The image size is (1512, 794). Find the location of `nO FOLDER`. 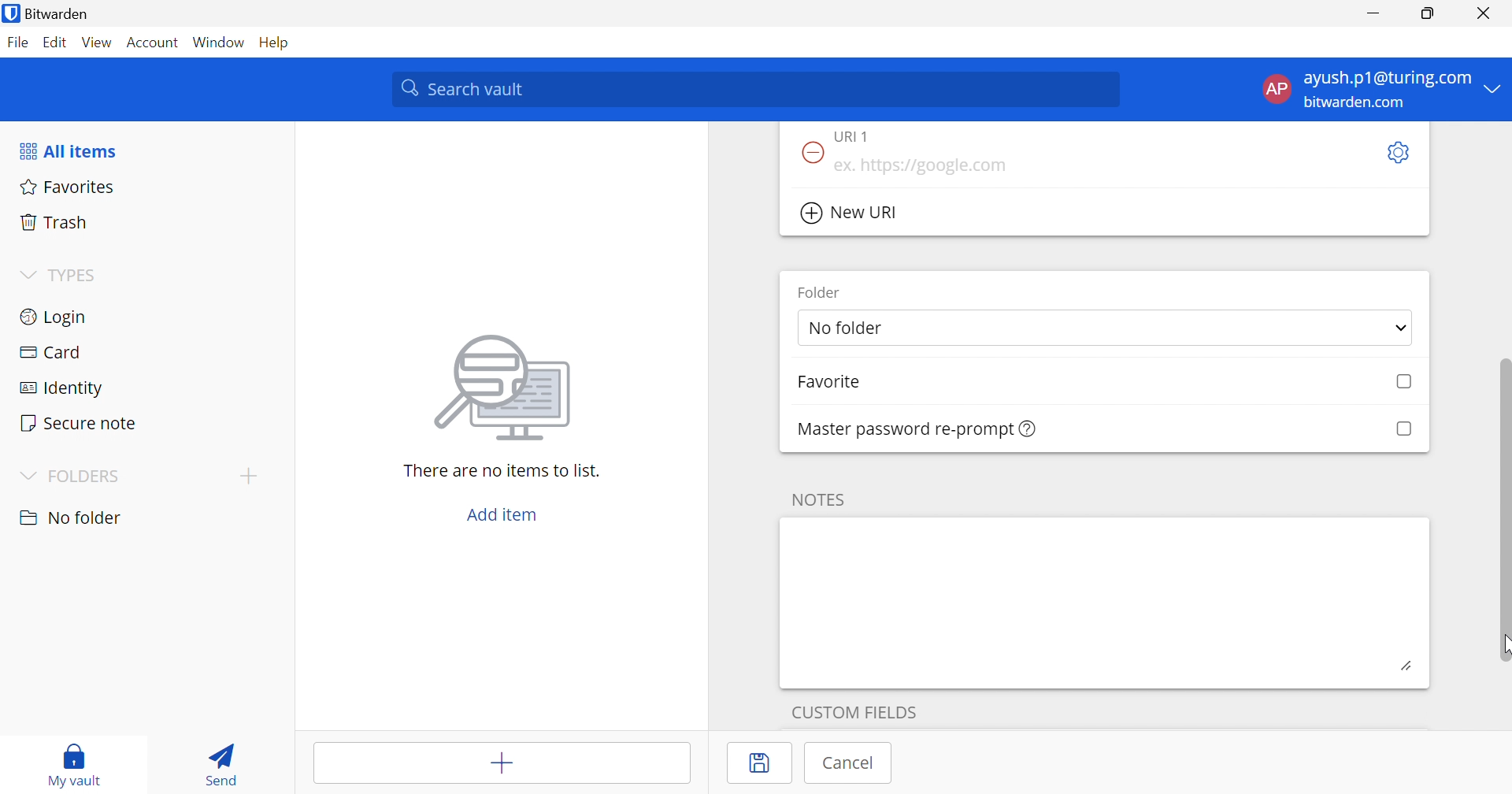

nO FOLDER is located at coordinates (70, 518).